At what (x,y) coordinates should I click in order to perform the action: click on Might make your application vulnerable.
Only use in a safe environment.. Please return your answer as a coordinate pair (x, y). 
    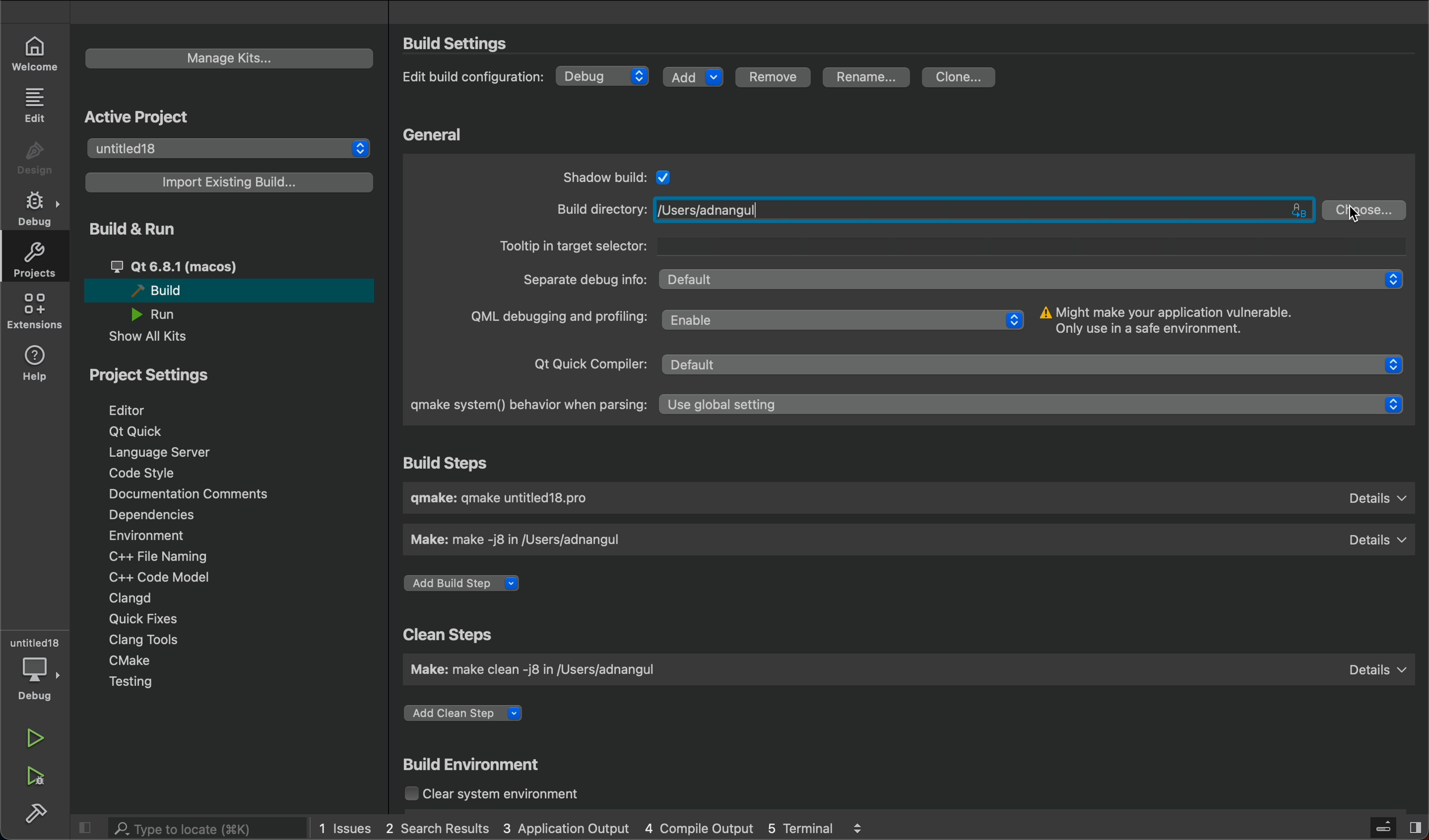
    Looking at the image, I should click on (1171, 320).